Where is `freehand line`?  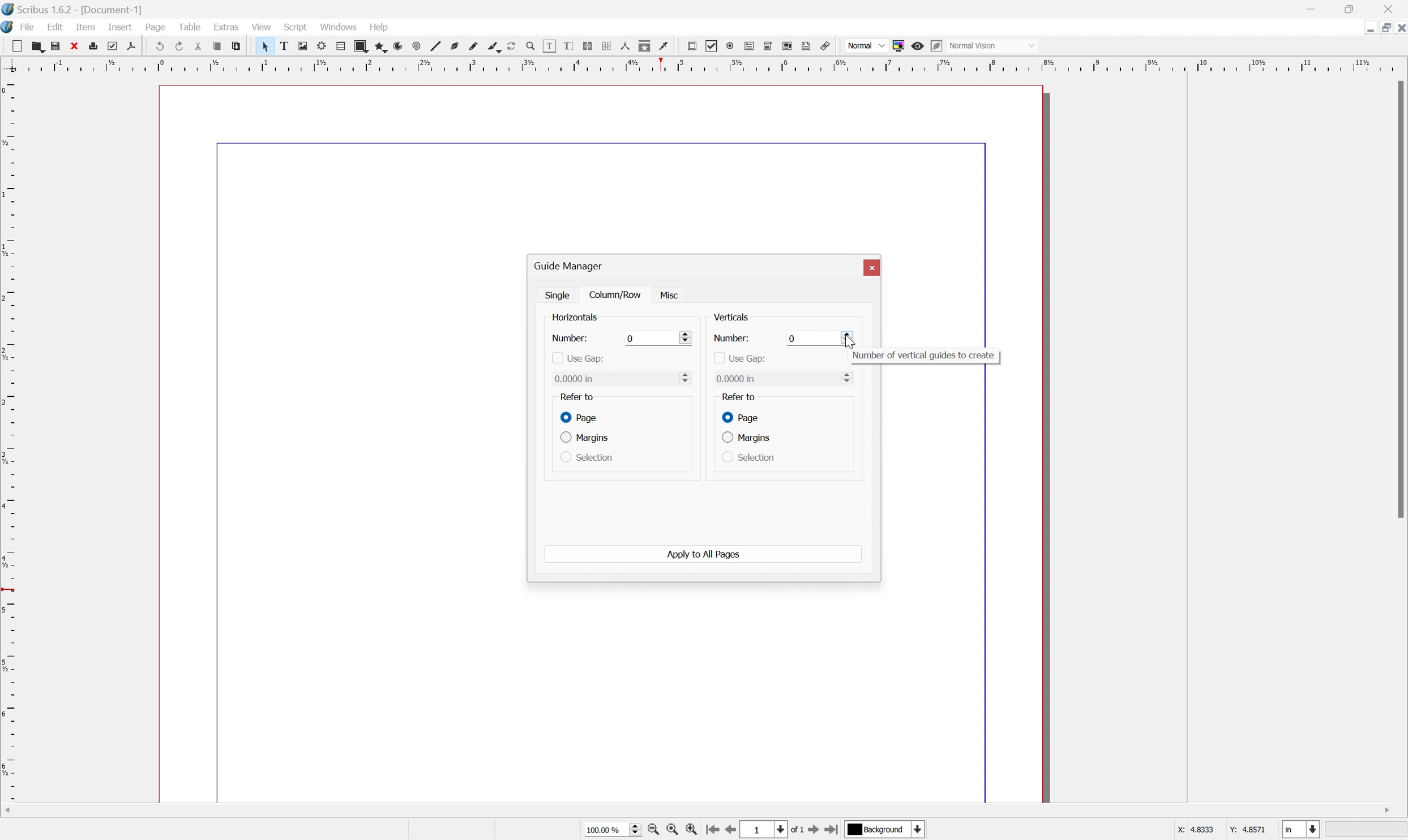
freehand line is located at coordinates (474, 47).